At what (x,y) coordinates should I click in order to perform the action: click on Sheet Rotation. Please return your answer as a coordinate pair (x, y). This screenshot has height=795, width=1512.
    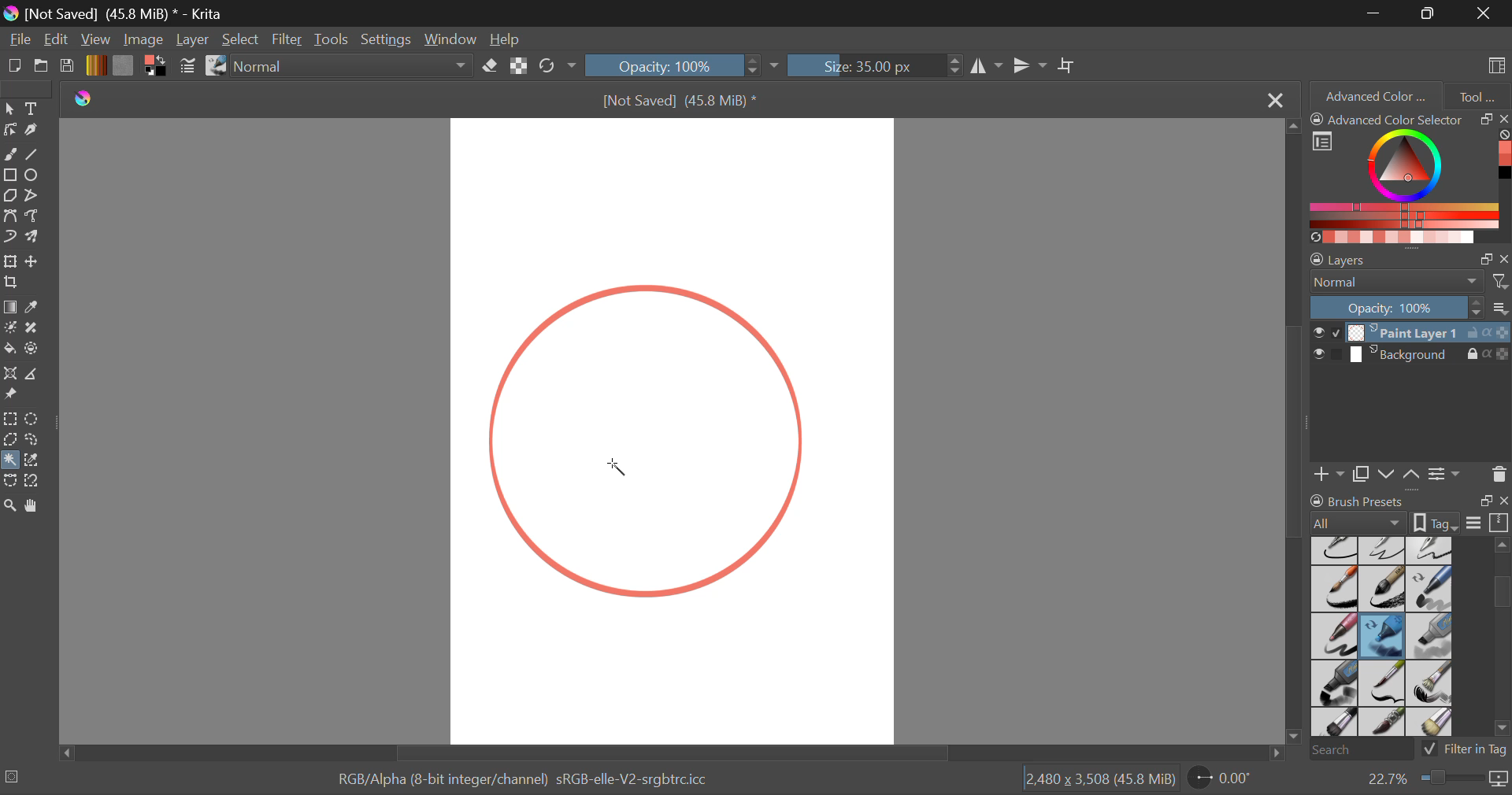
    Looking at the image, I should click on (1228, 778).